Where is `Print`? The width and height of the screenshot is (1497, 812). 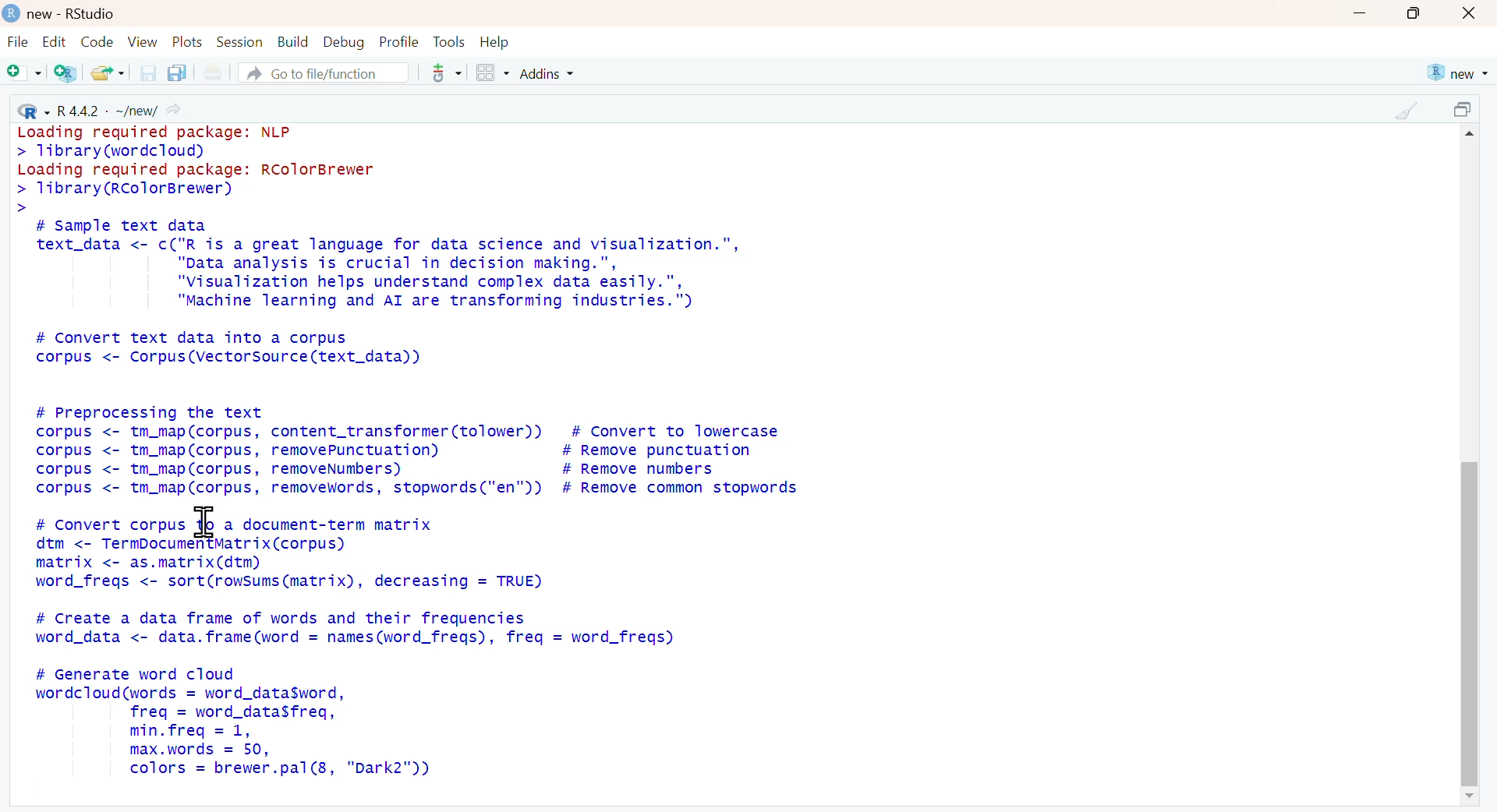
Print is located at coordinates (217, 72).